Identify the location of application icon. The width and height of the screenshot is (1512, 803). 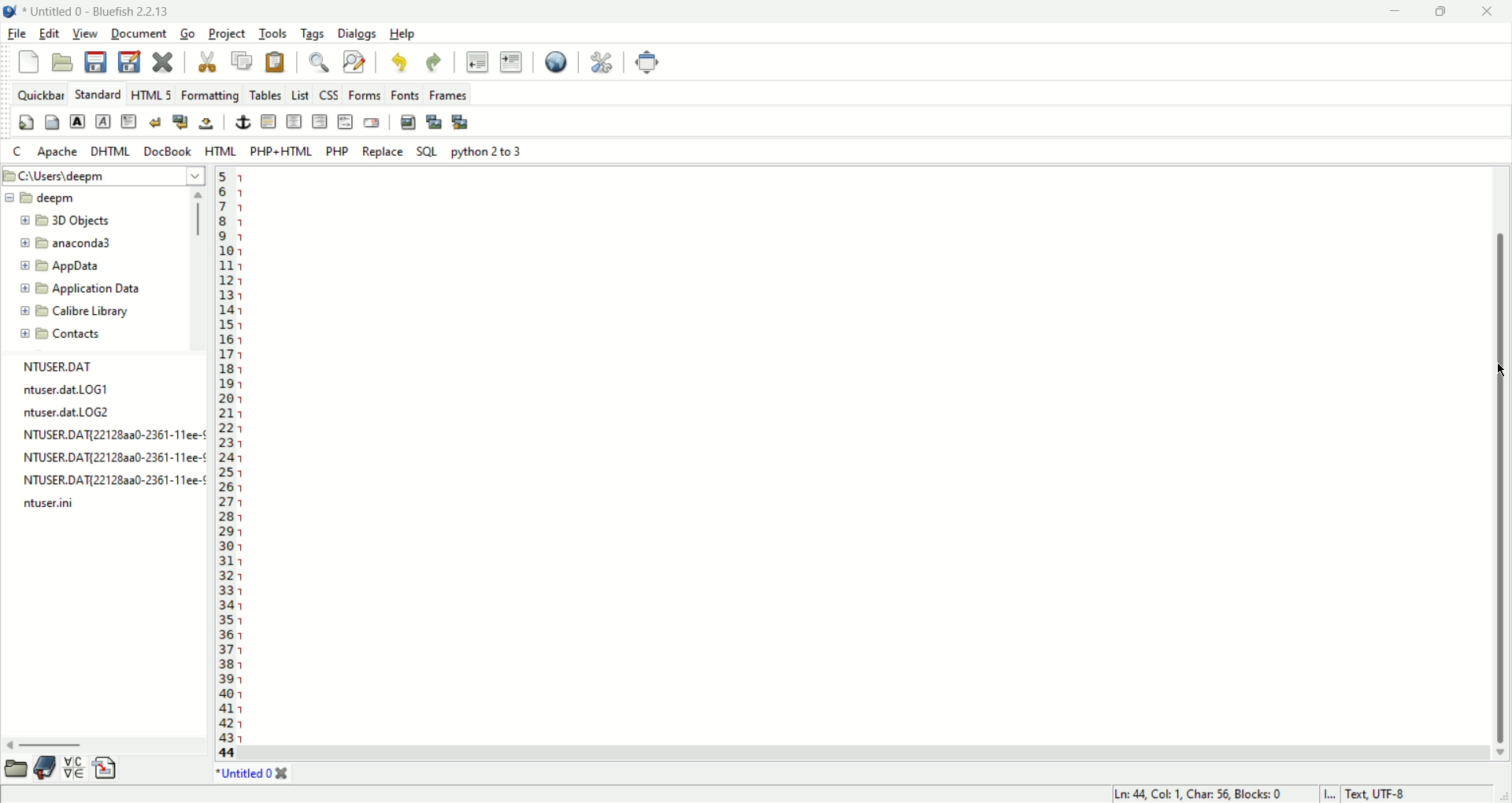
(10, 12).